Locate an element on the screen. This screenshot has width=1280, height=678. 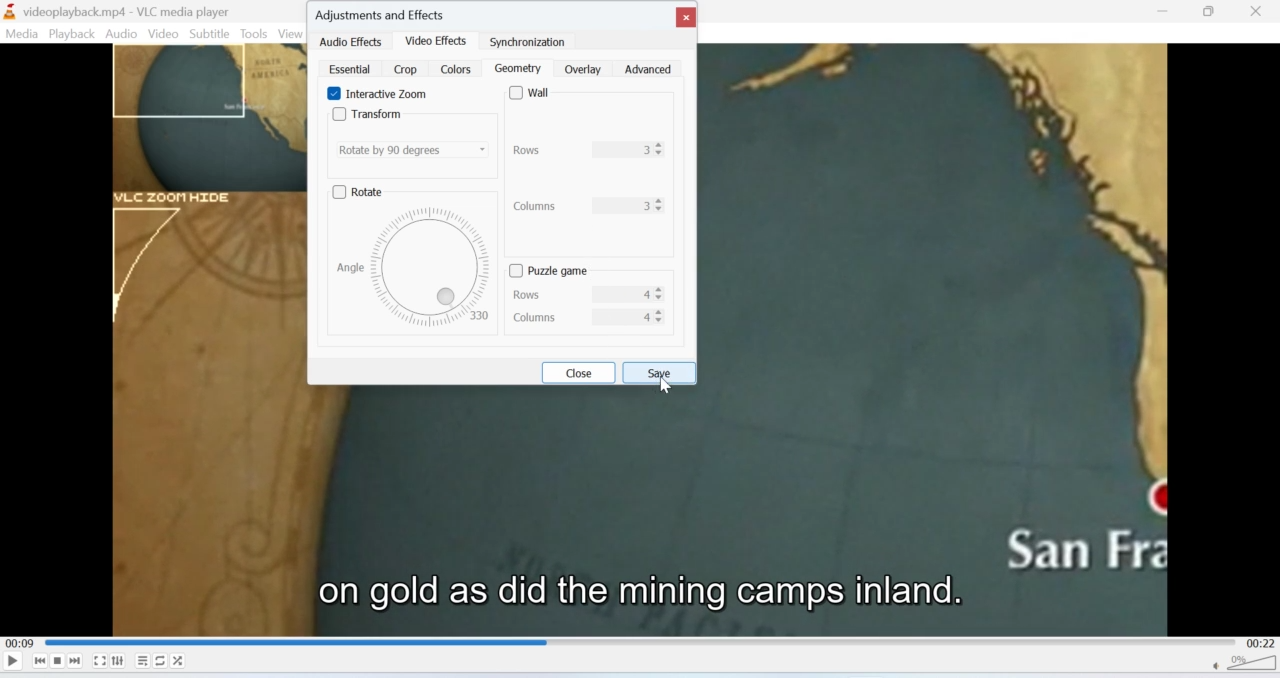
angle   330 is located at coordinates (408, 266).